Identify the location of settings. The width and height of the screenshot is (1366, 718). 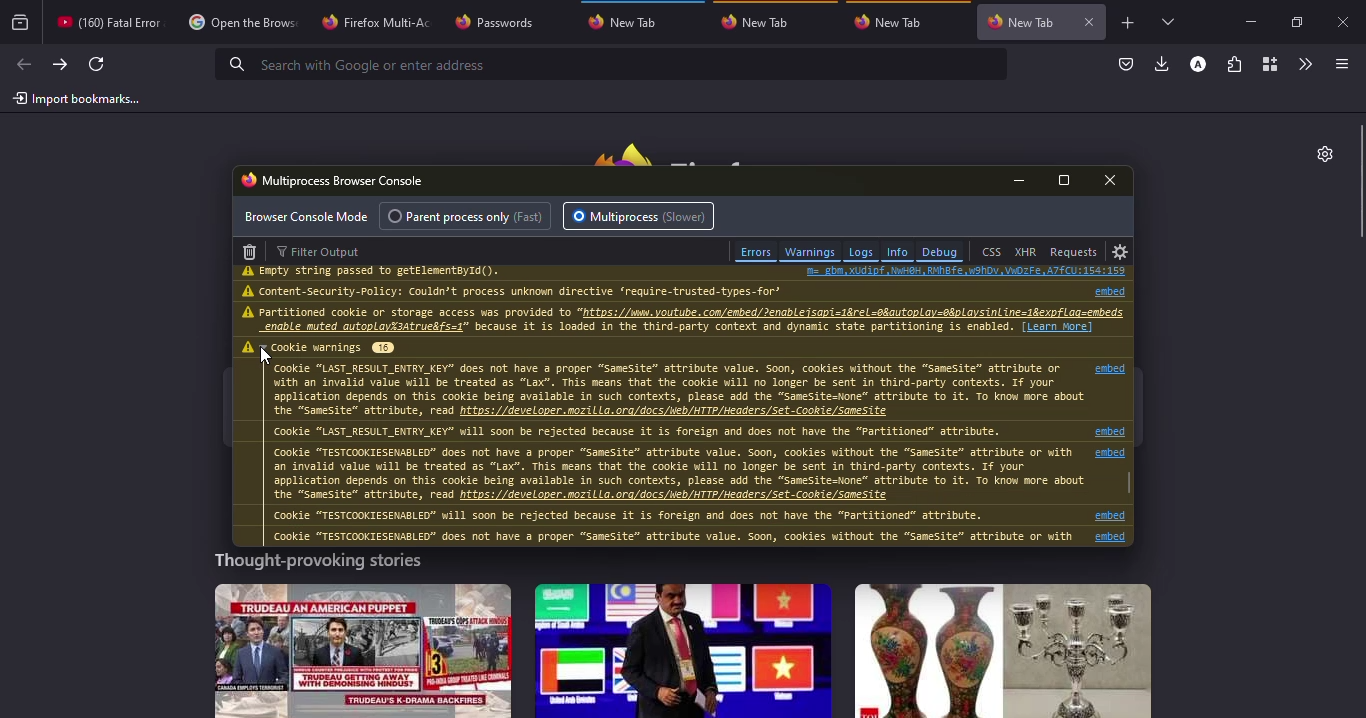
(1320, 153).